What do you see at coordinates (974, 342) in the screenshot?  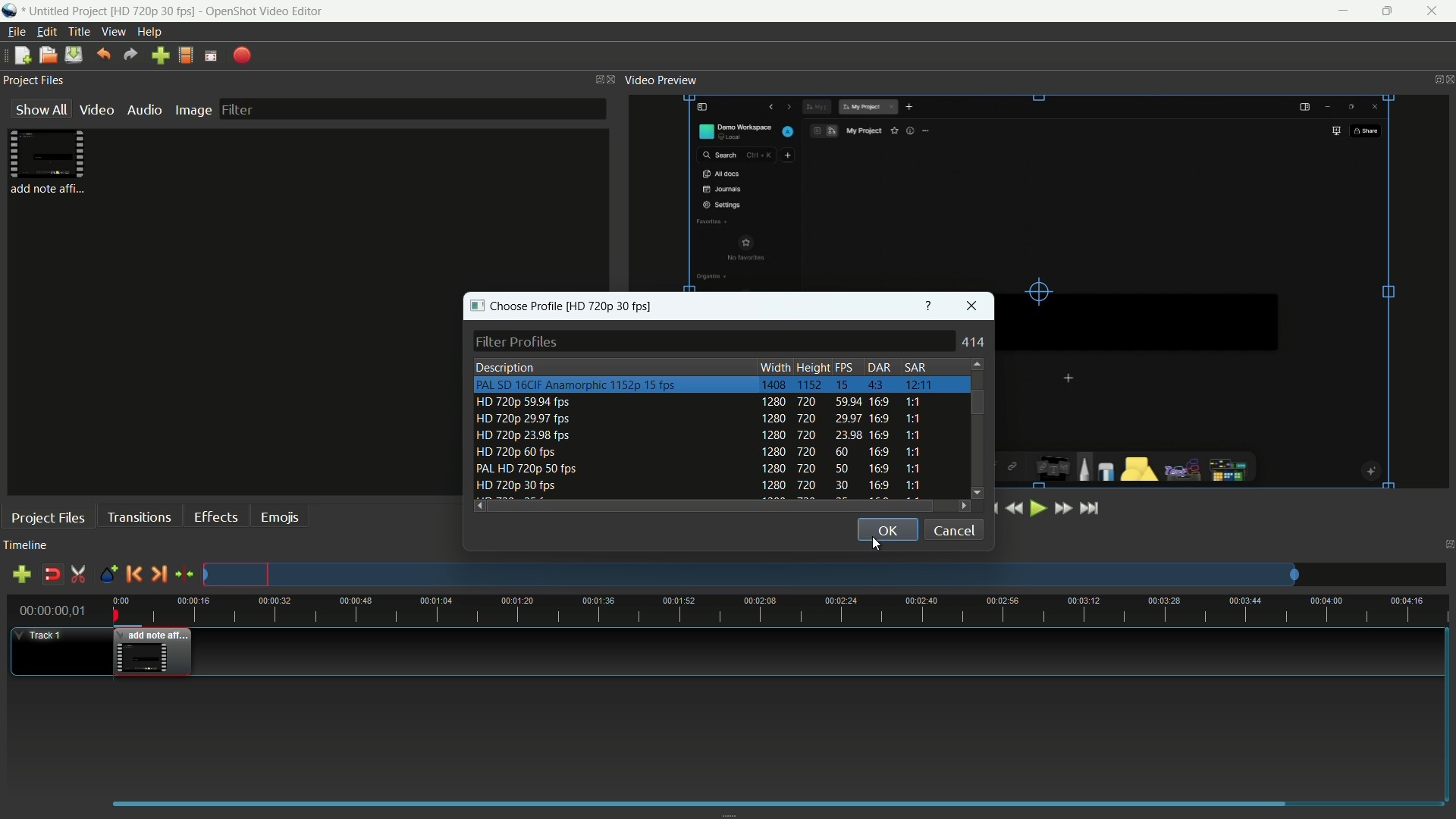 I see `414` at bounding box center [974, 342].